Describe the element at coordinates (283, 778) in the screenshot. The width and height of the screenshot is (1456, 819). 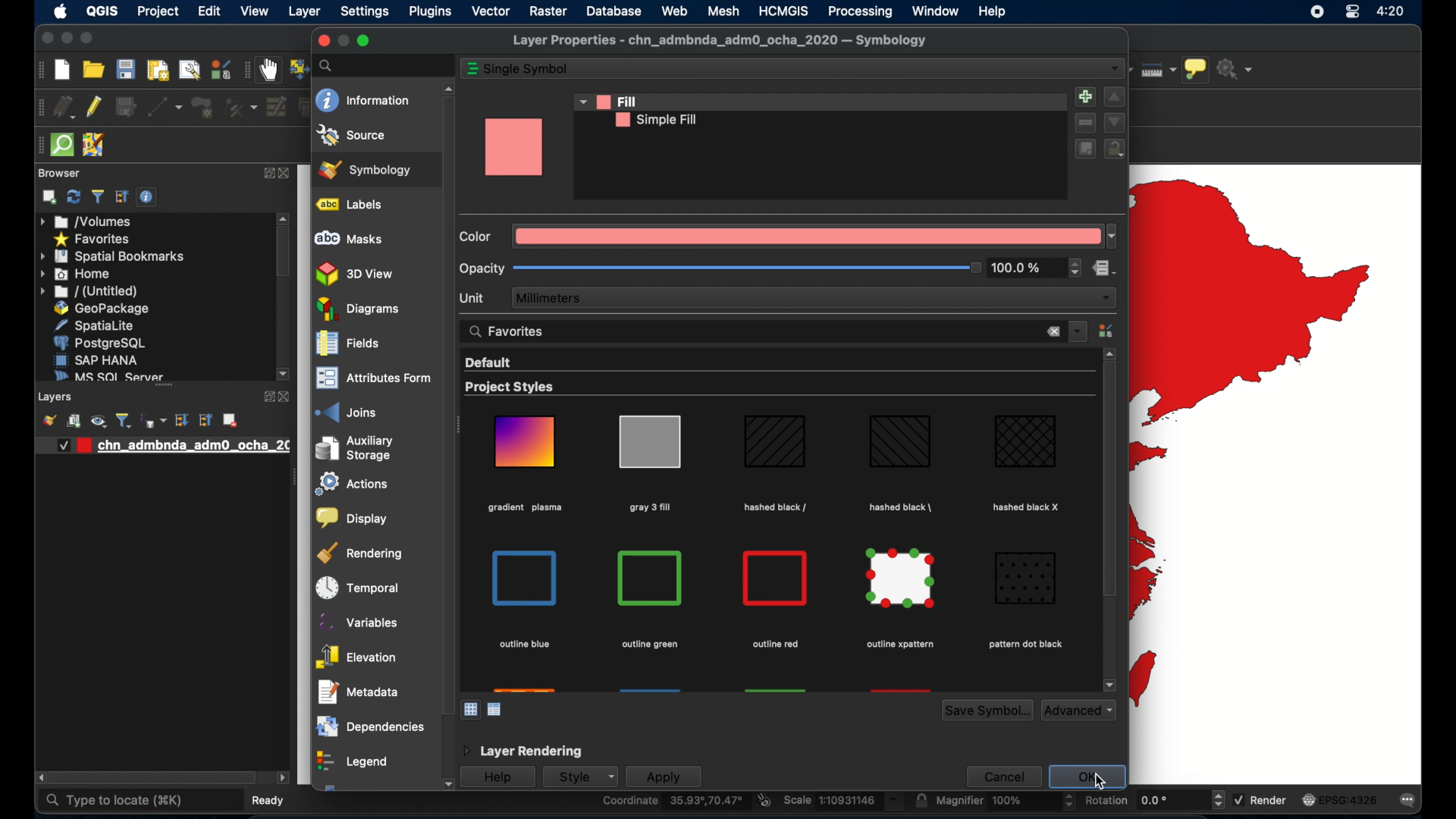
I see `scroll left arrow` at that location.